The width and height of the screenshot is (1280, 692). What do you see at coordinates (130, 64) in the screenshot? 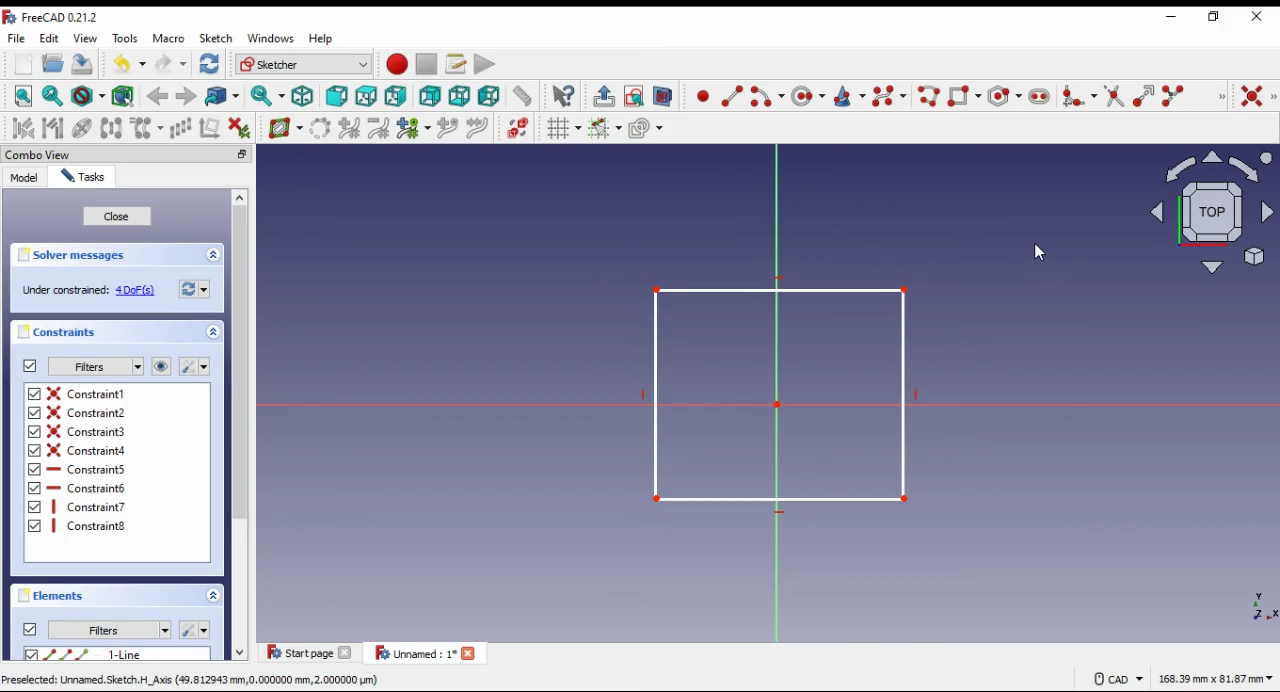
I see `undo` at bounding box center [130, 64].